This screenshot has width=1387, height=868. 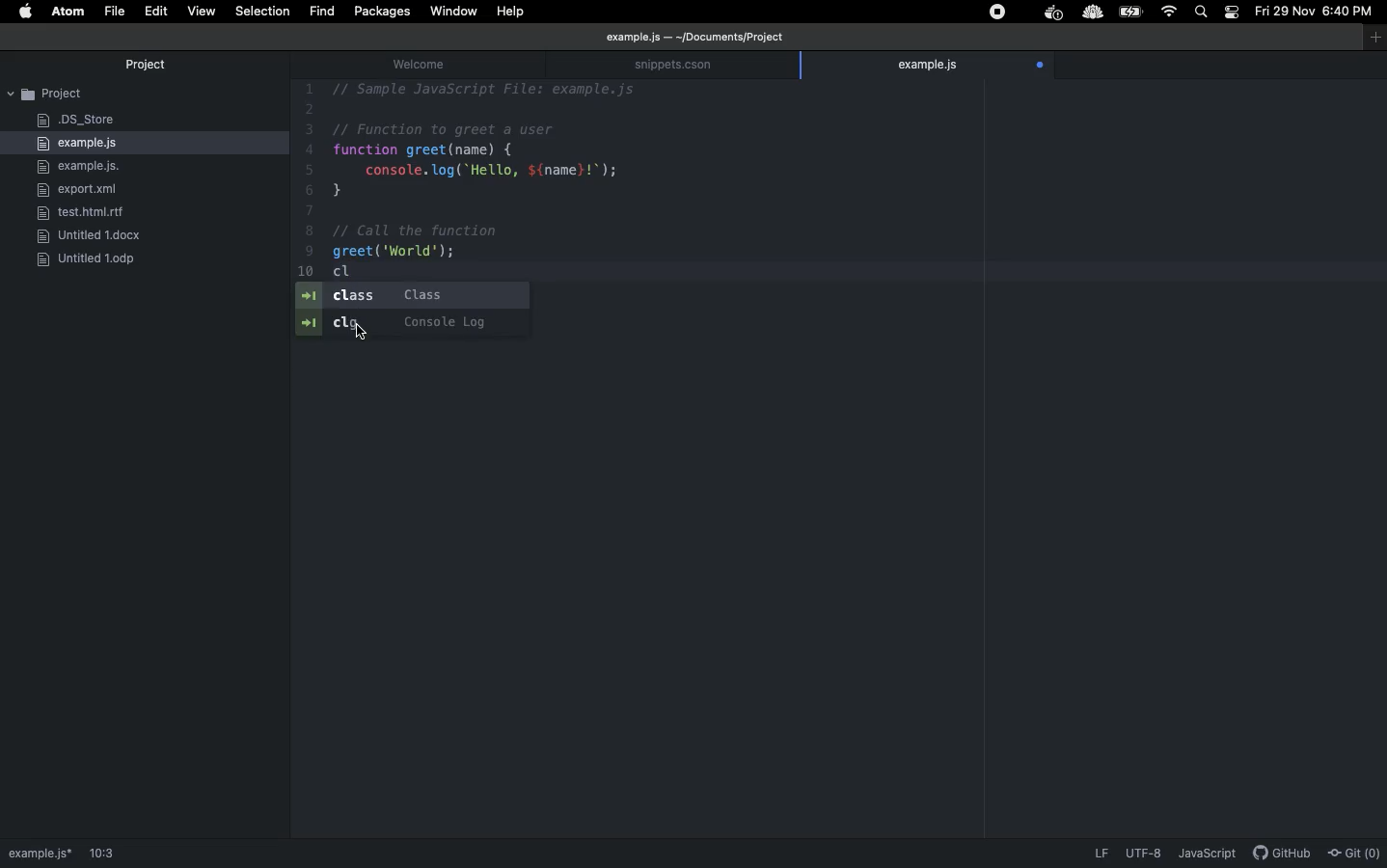 What do you see at coordinates (91, 234) in the screenshot?
I see `docx` at bounding box center [91, 234].